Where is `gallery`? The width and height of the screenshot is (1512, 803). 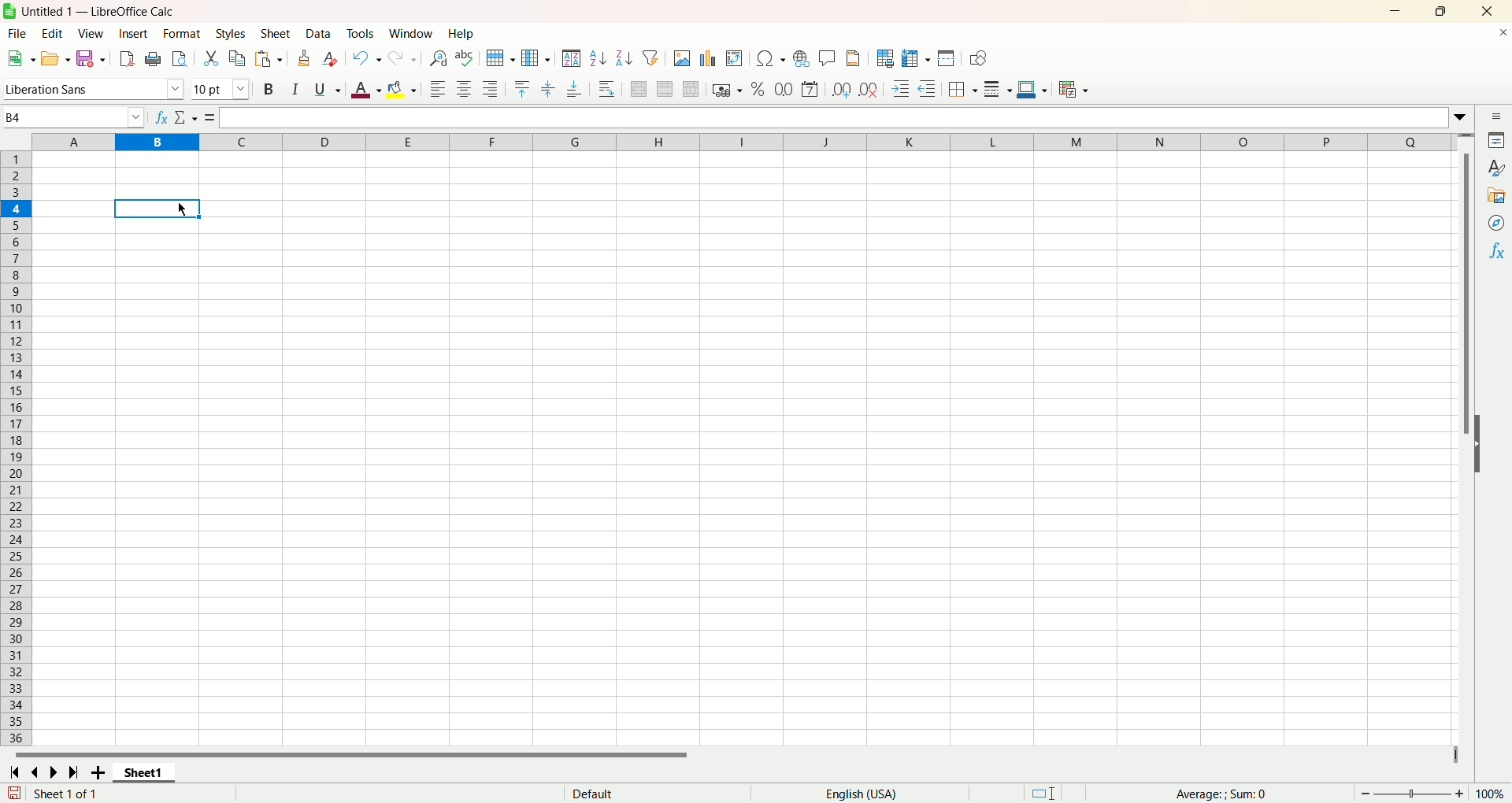 gallery is located at coordinates (1496, 196).